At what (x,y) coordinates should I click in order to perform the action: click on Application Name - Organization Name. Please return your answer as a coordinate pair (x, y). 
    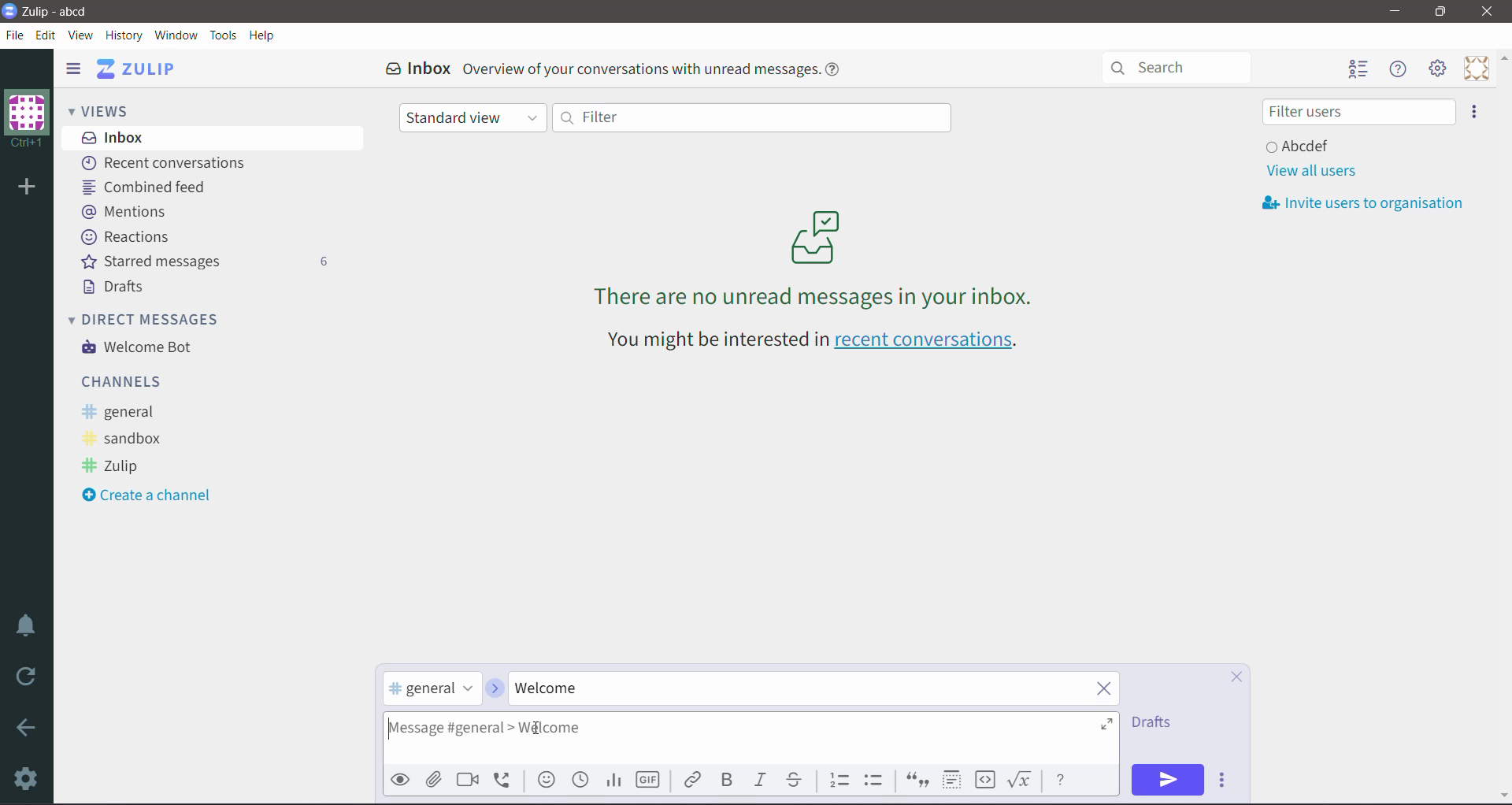
    Looking at the image, I should click on (65, 11).